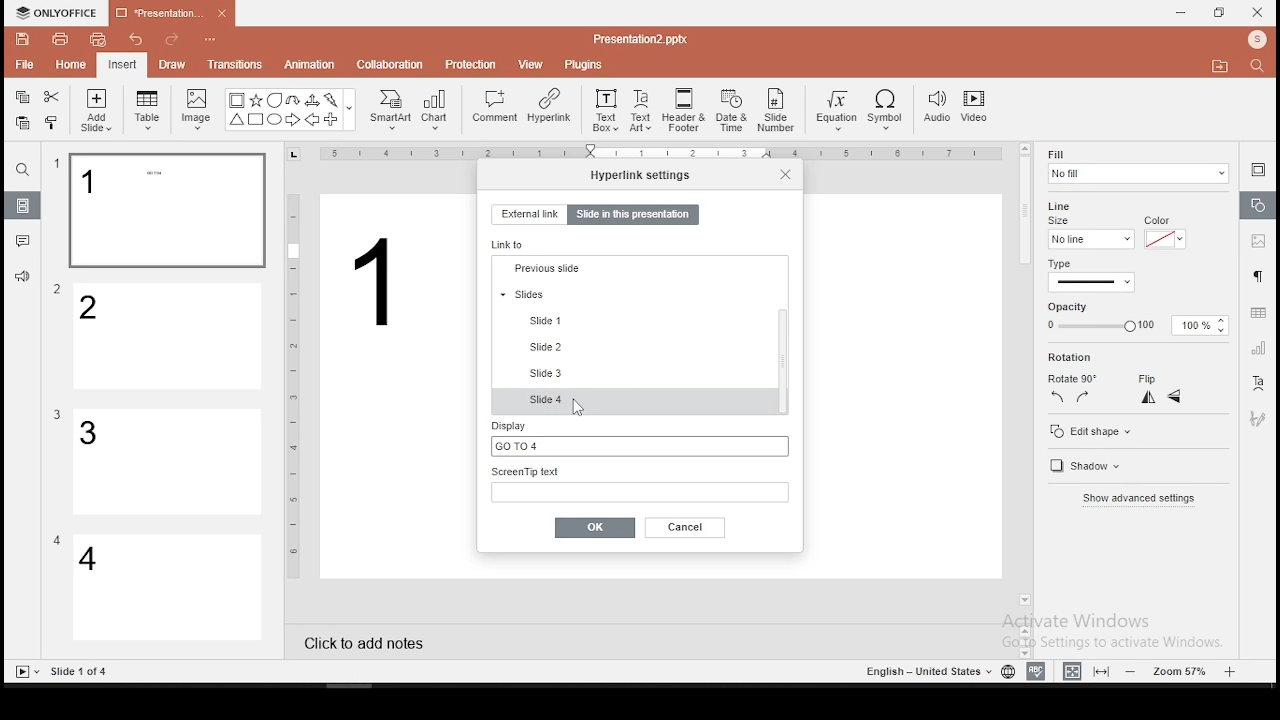 This screenshot has width=1280, height=720. What do you see at coordinates (147, 107) in the screenshot?
I see `table` at bounding box center [147, 107].